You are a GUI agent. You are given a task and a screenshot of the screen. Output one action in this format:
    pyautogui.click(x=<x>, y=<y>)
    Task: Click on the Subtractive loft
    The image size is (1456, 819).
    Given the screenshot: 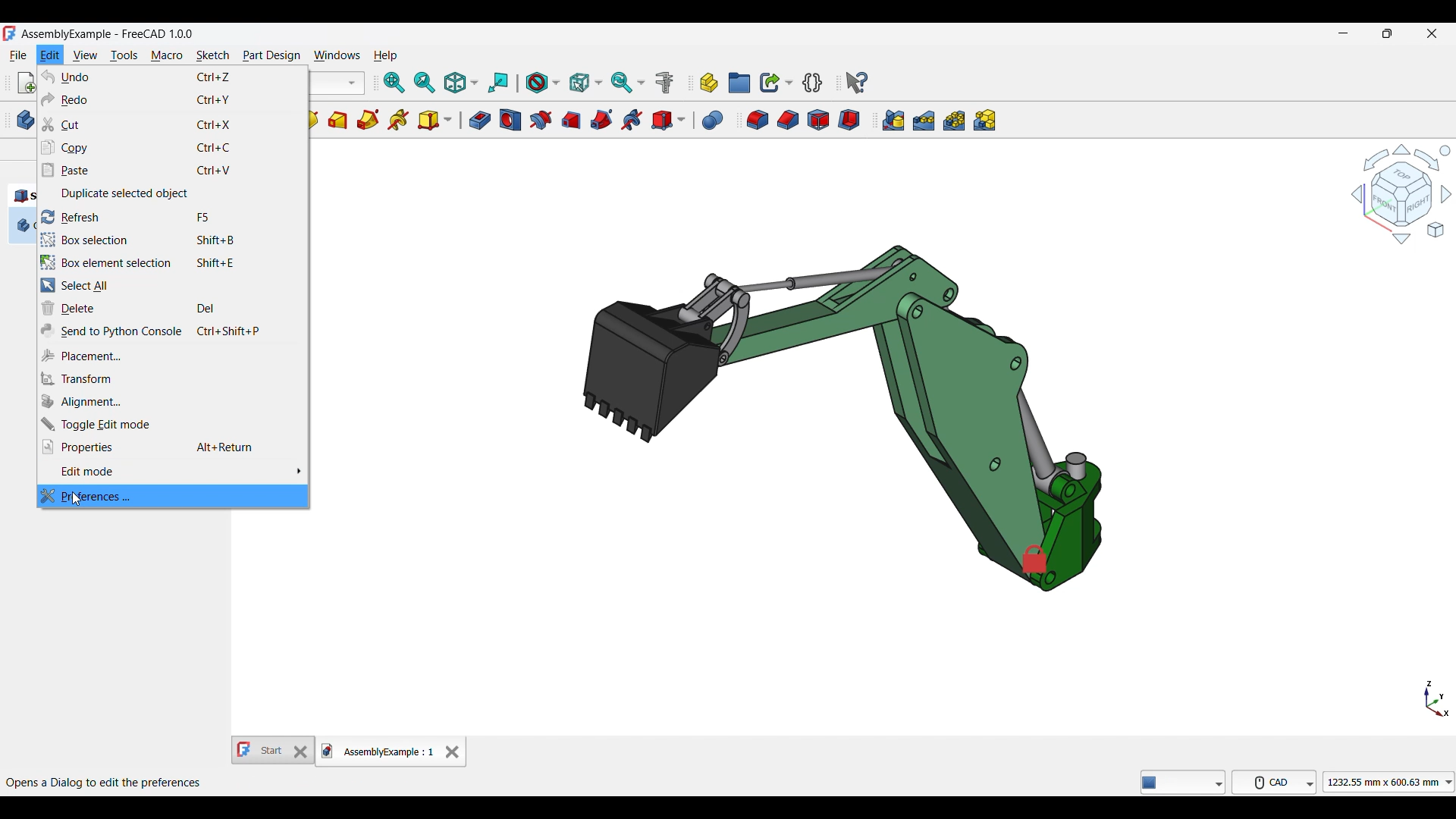 What is the action you would take?
    pyautogui.click(x=572, y=121)
    